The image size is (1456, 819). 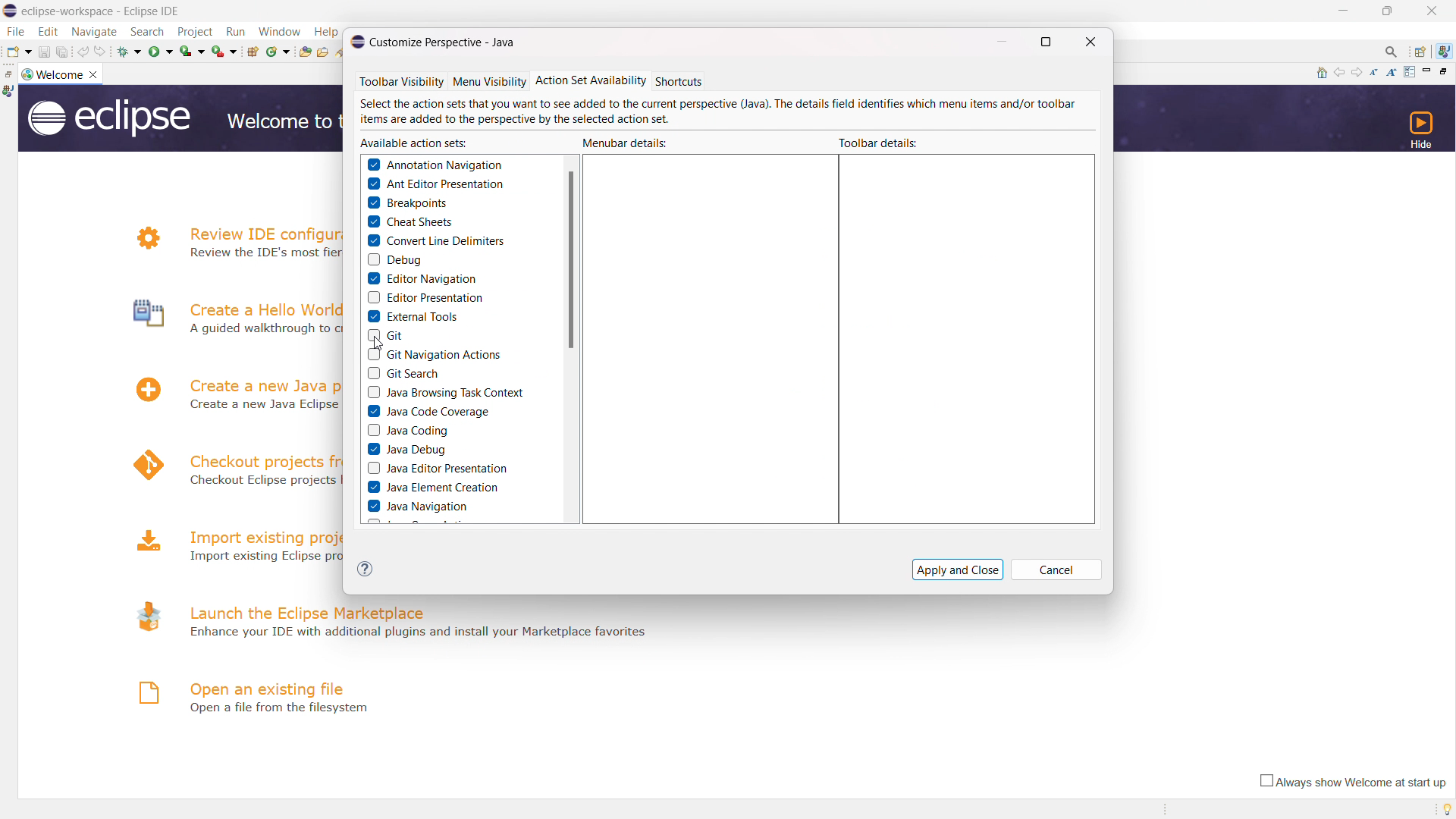 What do you see at coordinates (566, 80) in the screenshot?
I see `Toolbar Visibility Menu Visibility Action Set Availability Shortcuts` at bounding box center [566, 80].